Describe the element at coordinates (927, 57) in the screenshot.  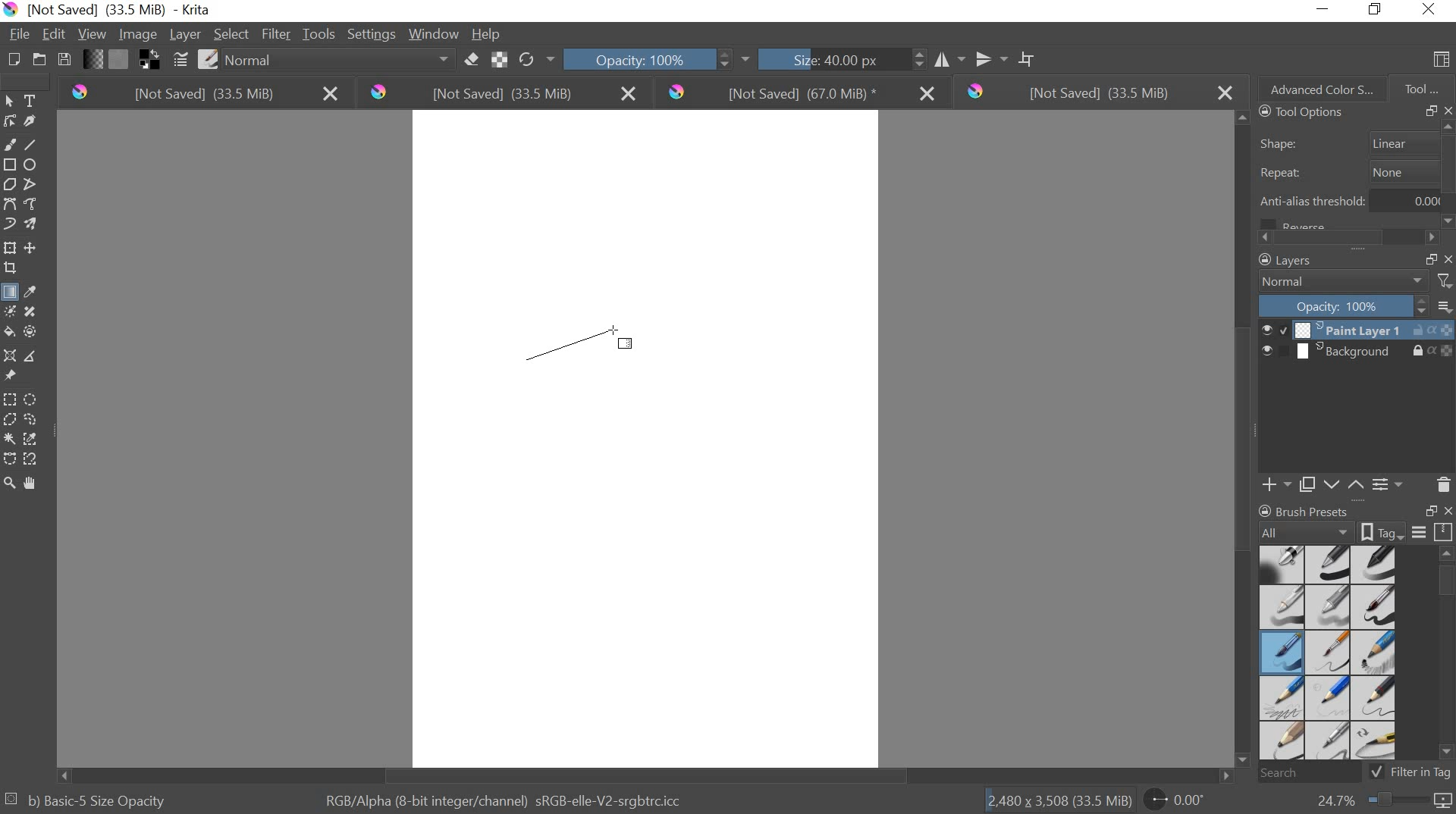
I see `HORIZONTAL MIROR TOOL` at that location.